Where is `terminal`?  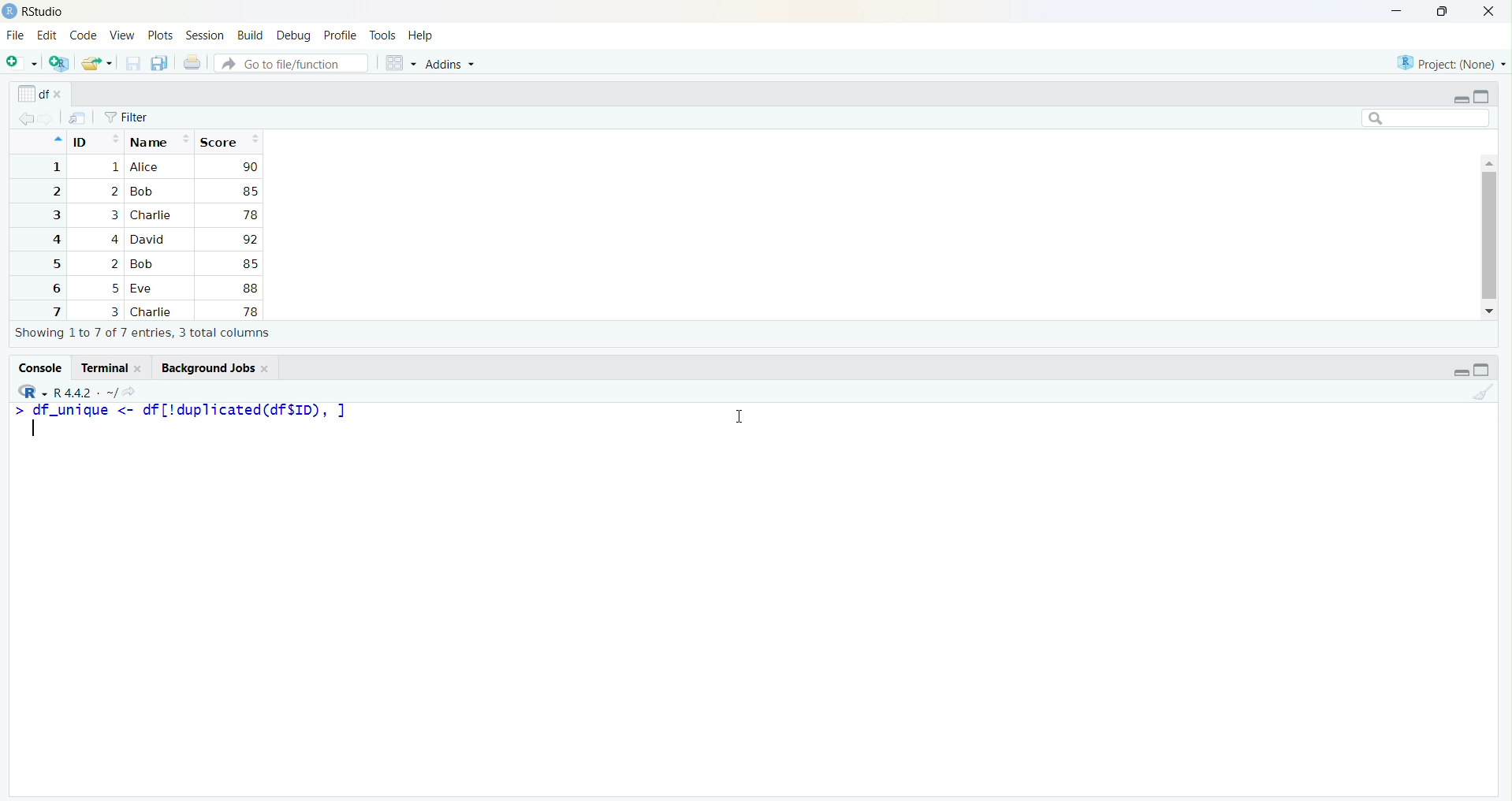
terminal is located at coordinates (102, 368).